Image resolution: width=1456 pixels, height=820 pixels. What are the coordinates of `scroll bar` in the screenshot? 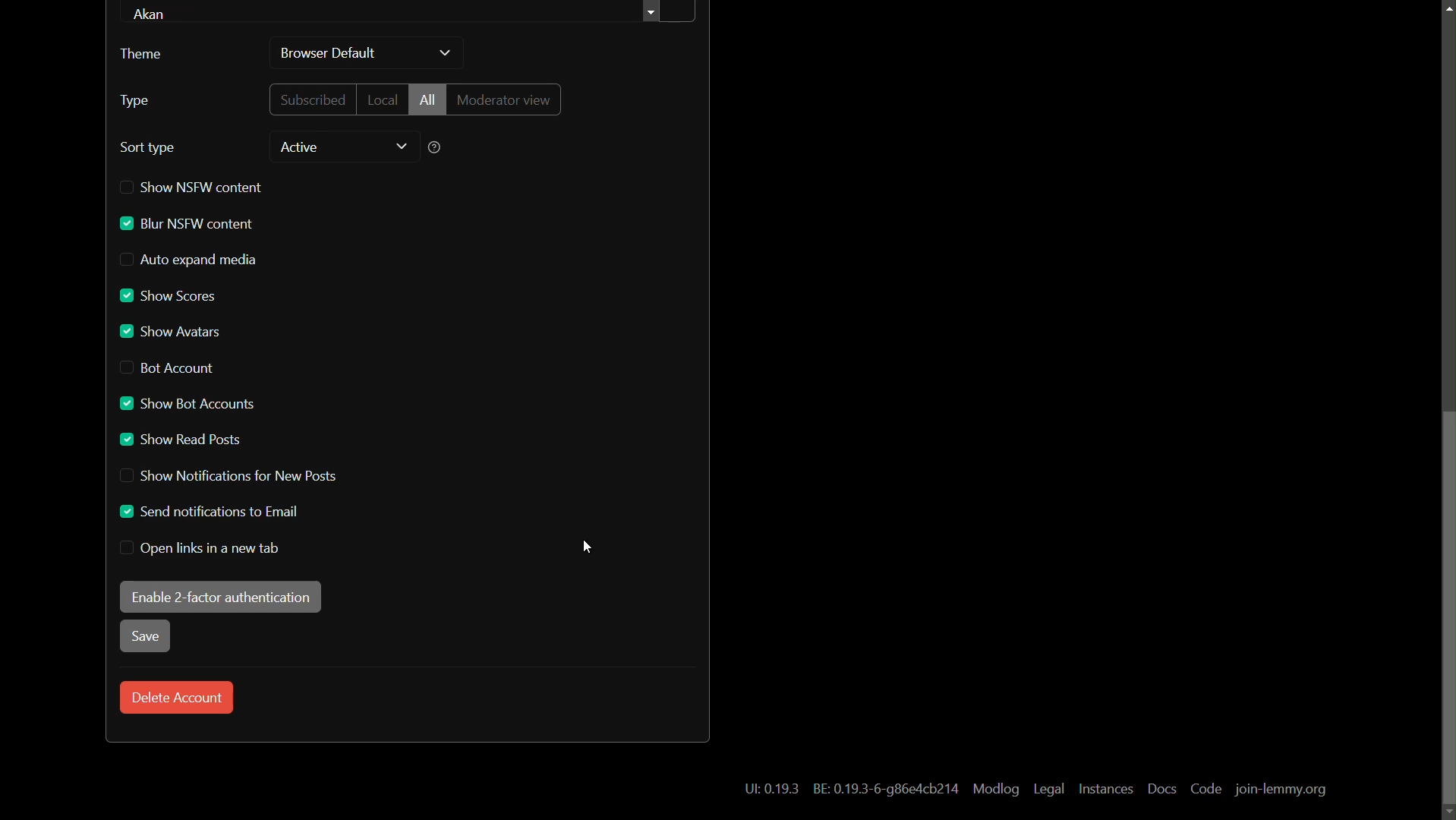 It's located at (1447, 610).